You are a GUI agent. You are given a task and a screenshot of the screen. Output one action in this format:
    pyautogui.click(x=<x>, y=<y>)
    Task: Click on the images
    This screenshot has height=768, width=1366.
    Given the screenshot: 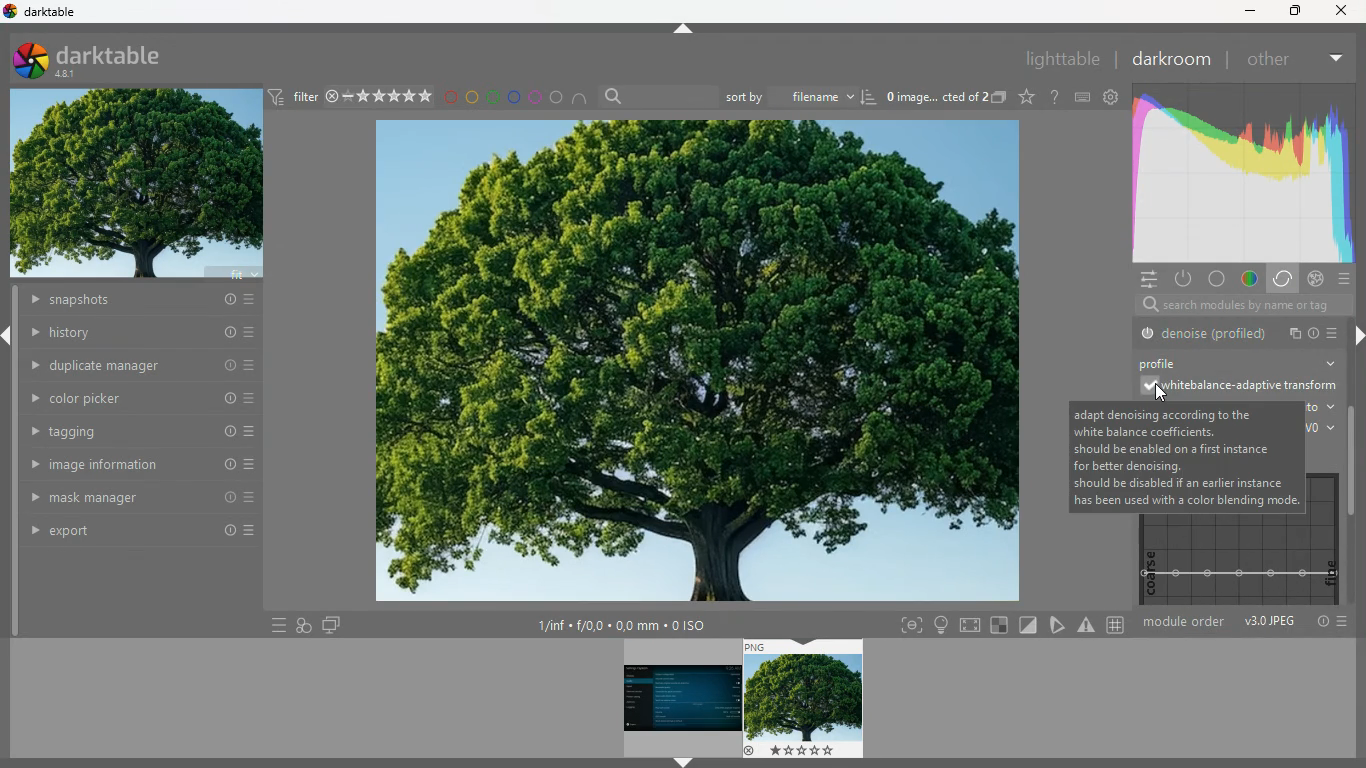 What is the action you would take?
    pyautogui.click(x=304, y=625)
    